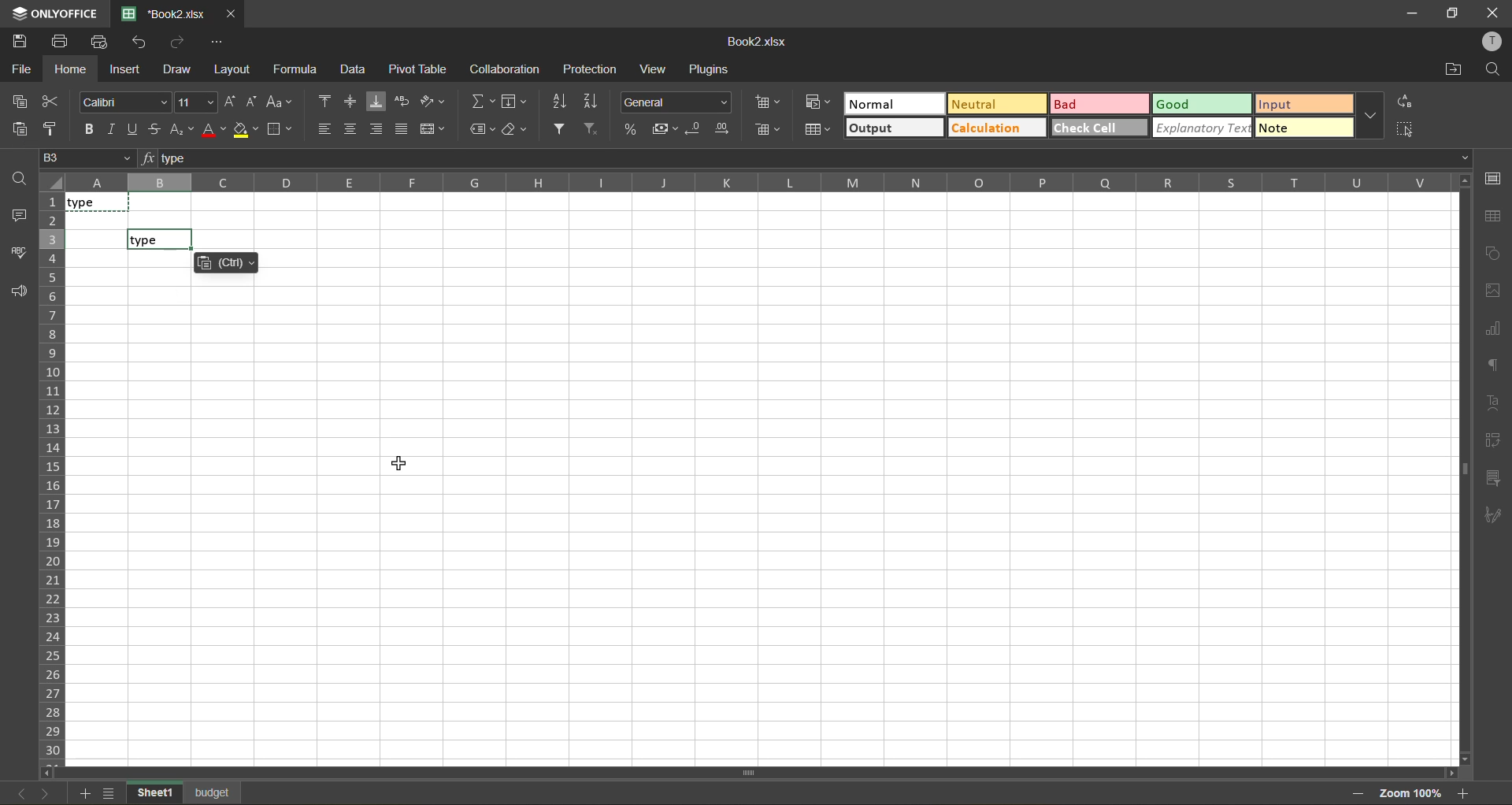 The image size is (1512, 805). What do you see at coordinates (325, 128) in the screenshot?
I see `align left` at bounding box center [325, 128].